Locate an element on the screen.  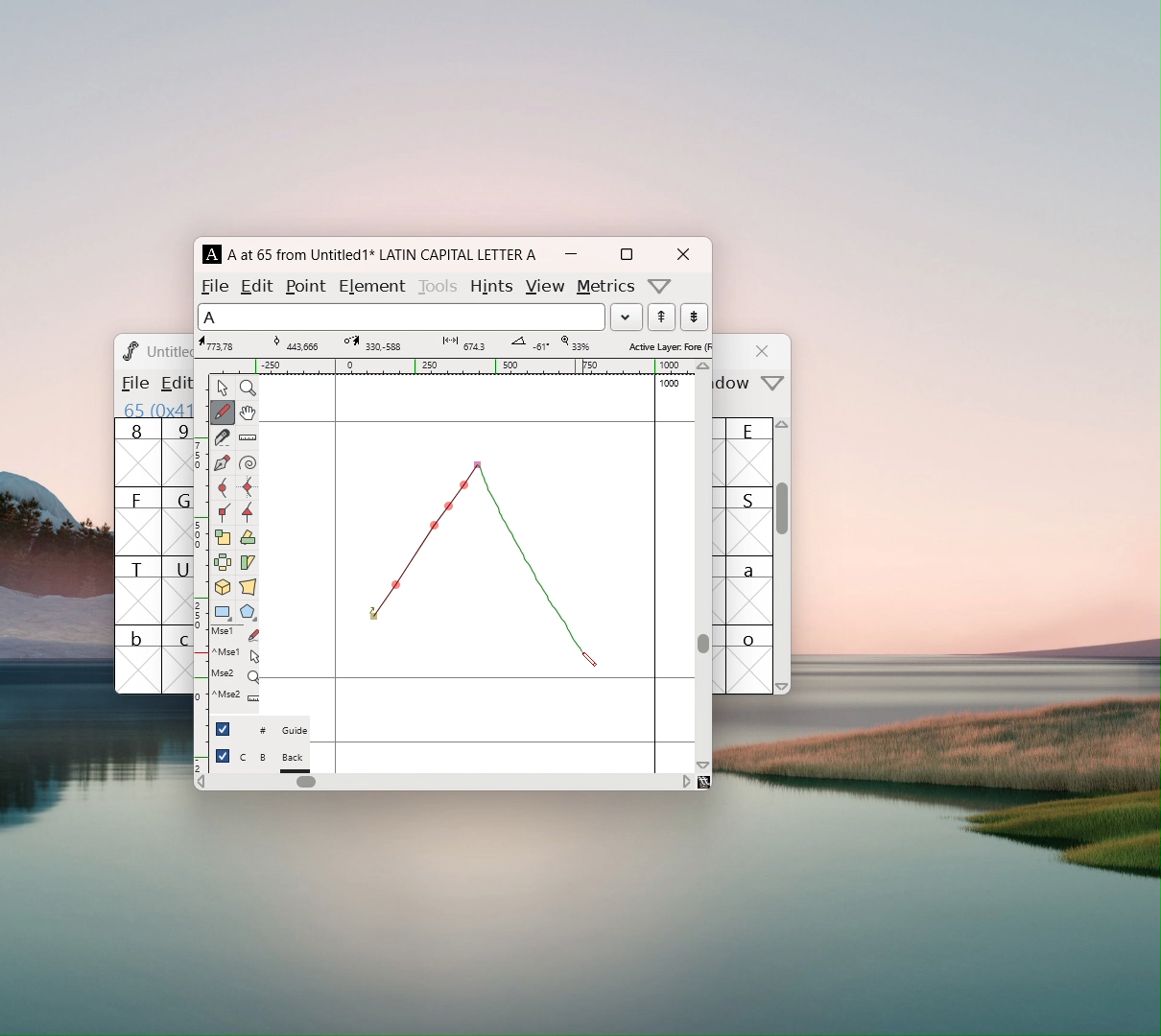
a is located at coordinates (750, 590).